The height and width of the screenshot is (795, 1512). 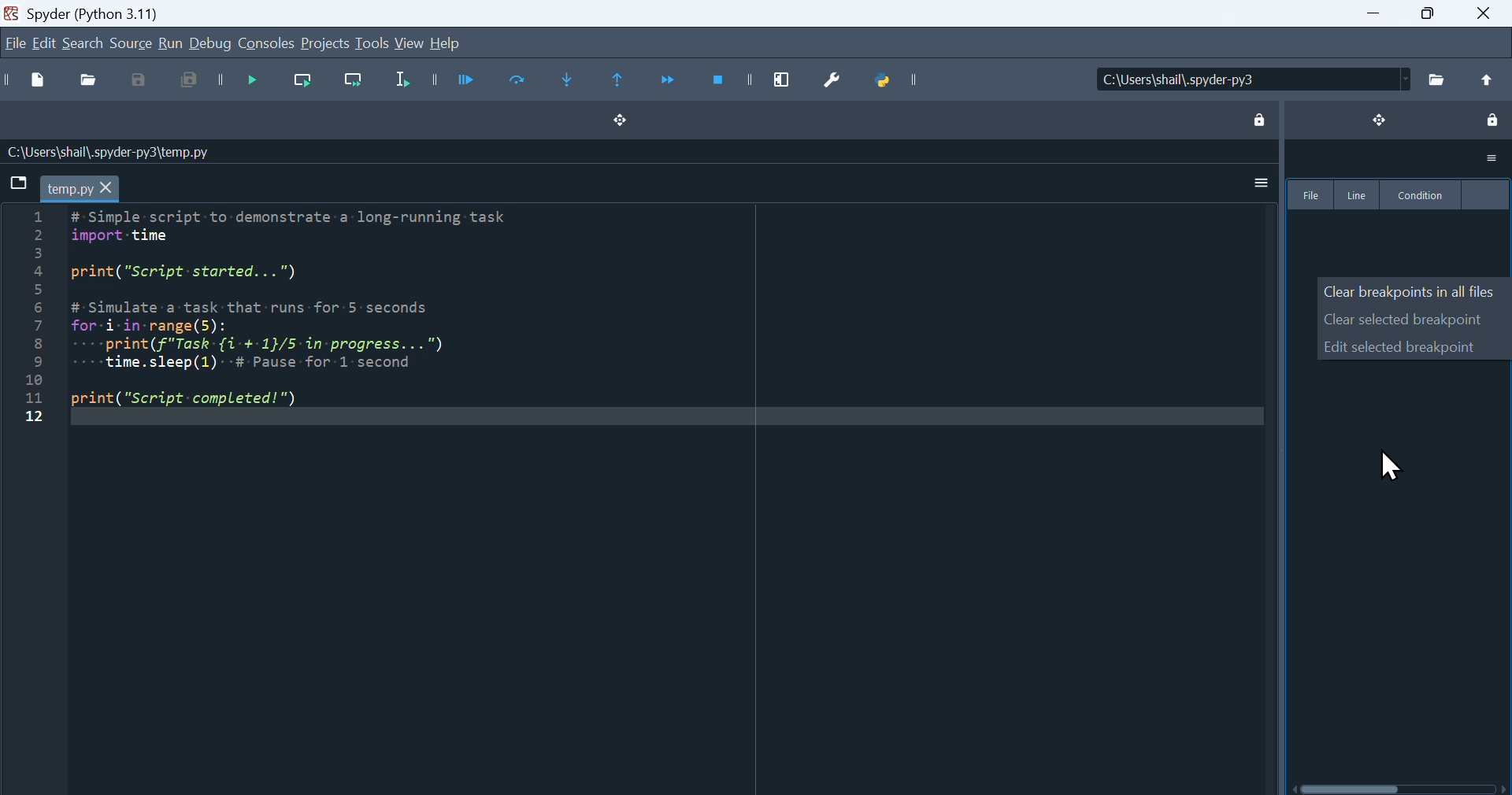 What do you see at coordinates (32, 82) in the screenshot?
I see `New file` at bounding box center [32, 82].